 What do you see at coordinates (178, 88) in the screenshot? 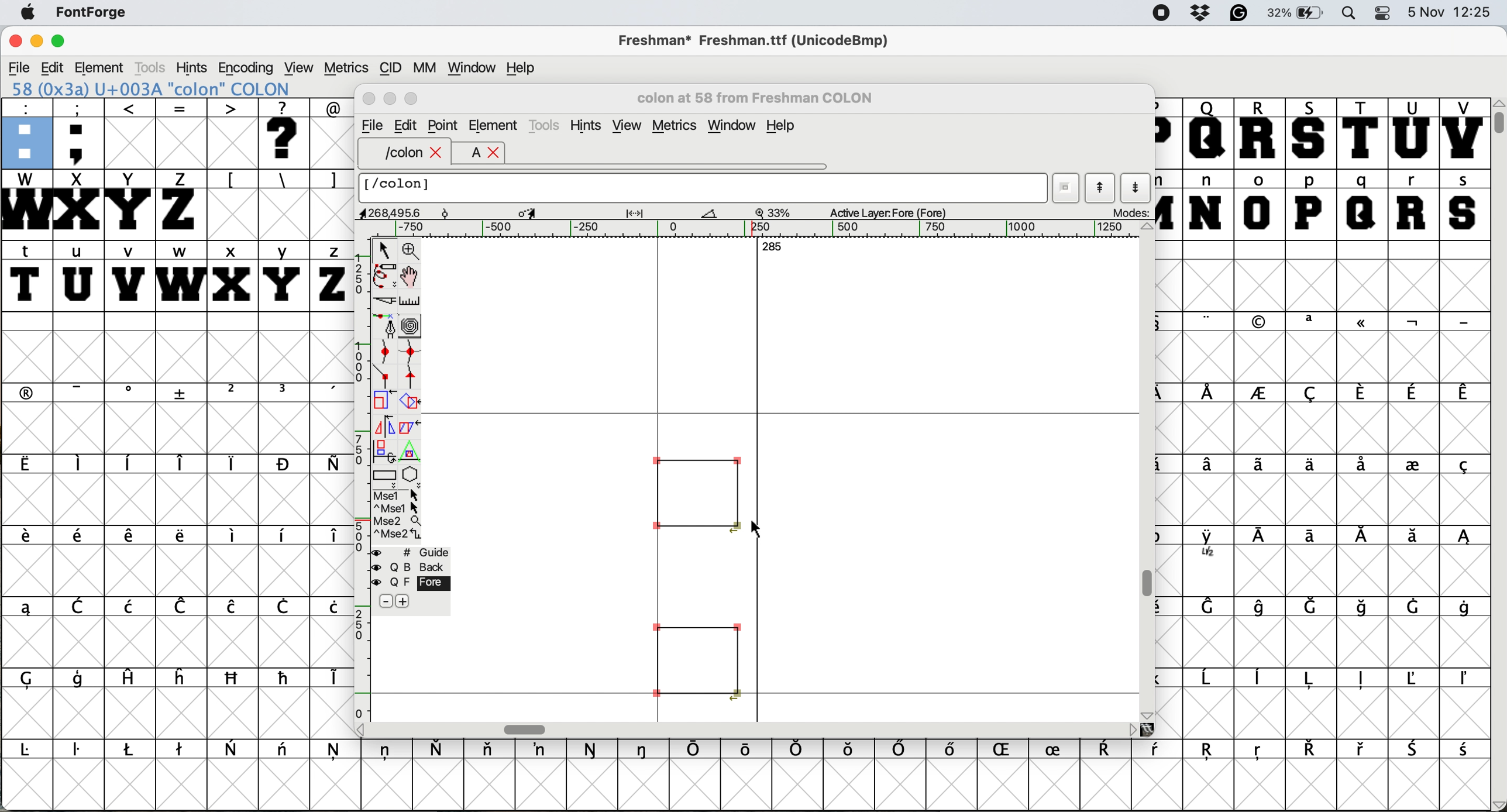
I see `179 (0xb3) U+00B3 "uniO0B3" SUPERSCRIPT THREE` at bounding box center [178, 88].